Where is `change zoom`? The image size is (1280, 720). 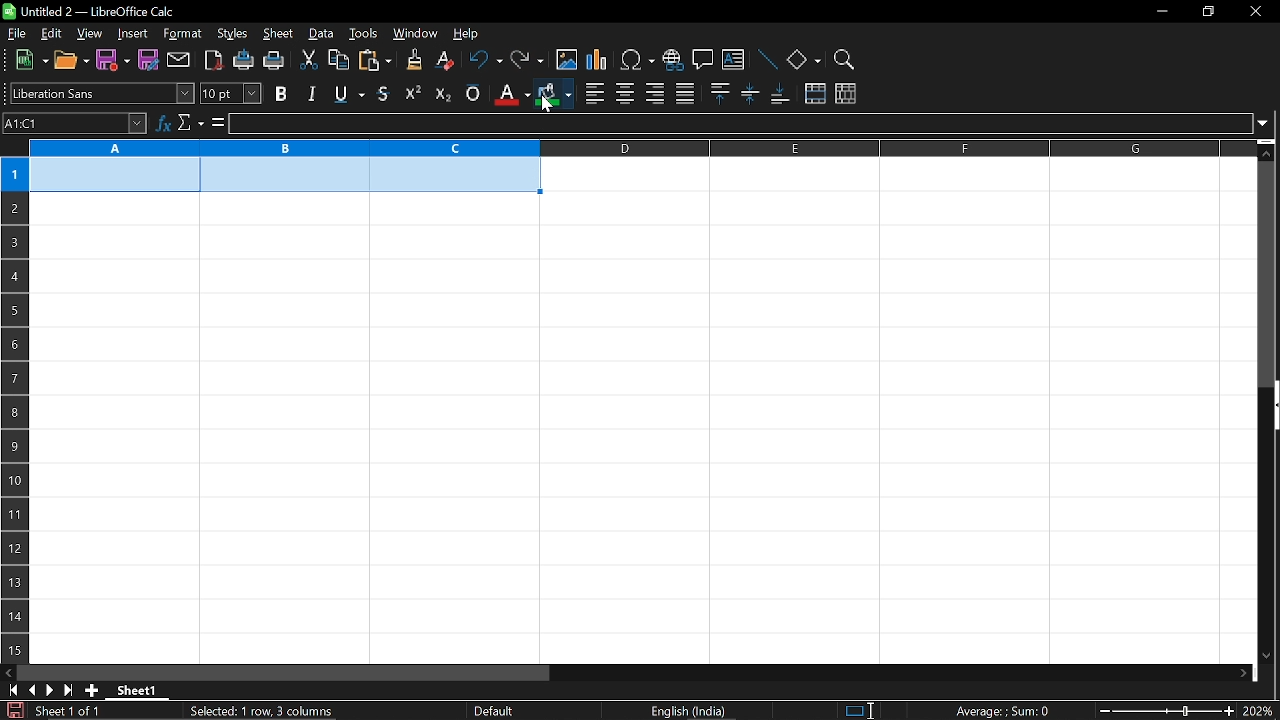
change zoom is located at coordinates (1163, 711).